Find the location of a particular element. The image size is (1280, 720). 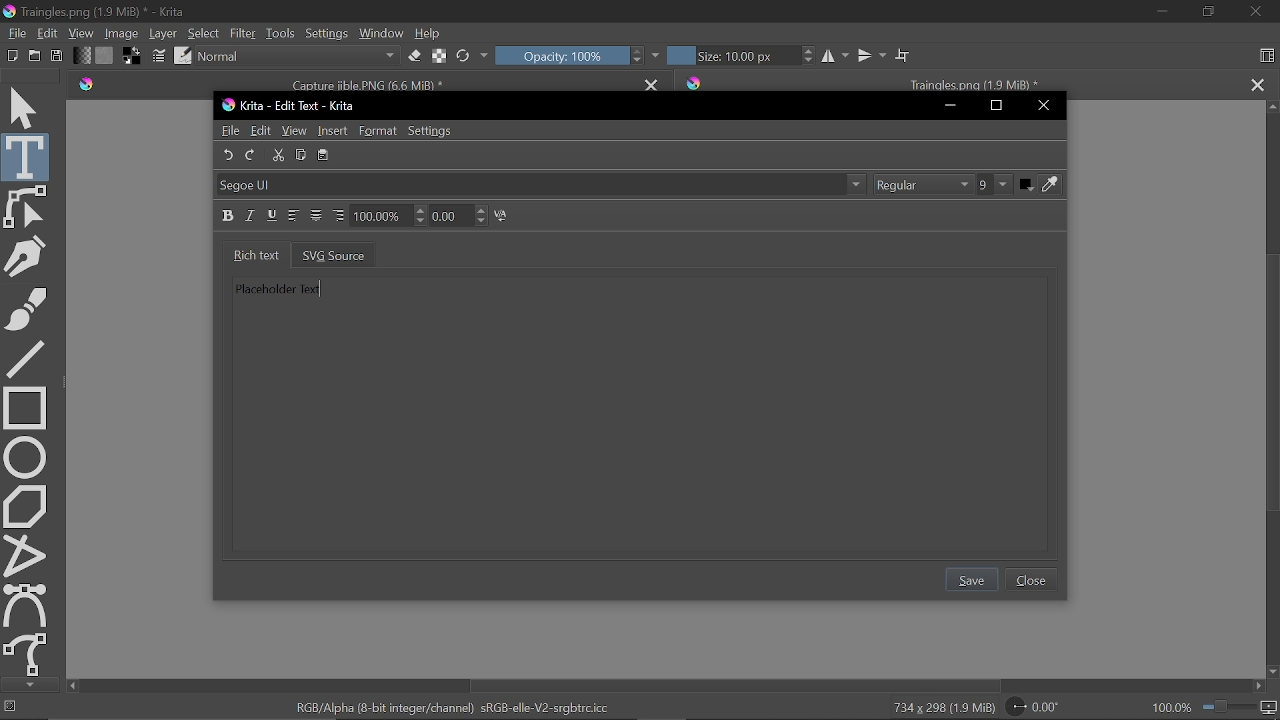

Format is located at coordinates (380, 130).